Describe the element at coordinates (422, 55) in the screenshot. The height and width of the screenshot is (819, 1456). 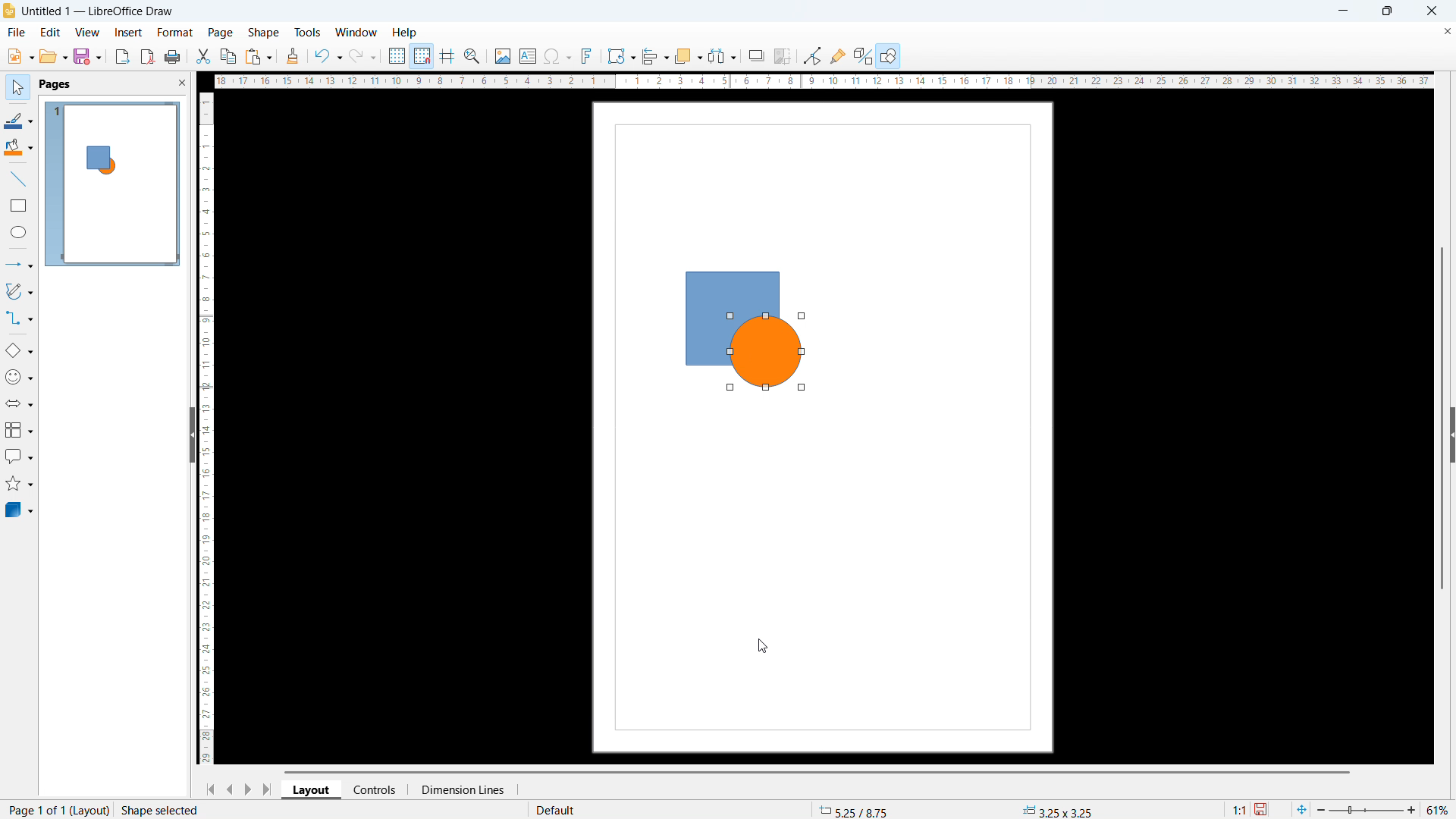
I see `snap to grid` at that location.